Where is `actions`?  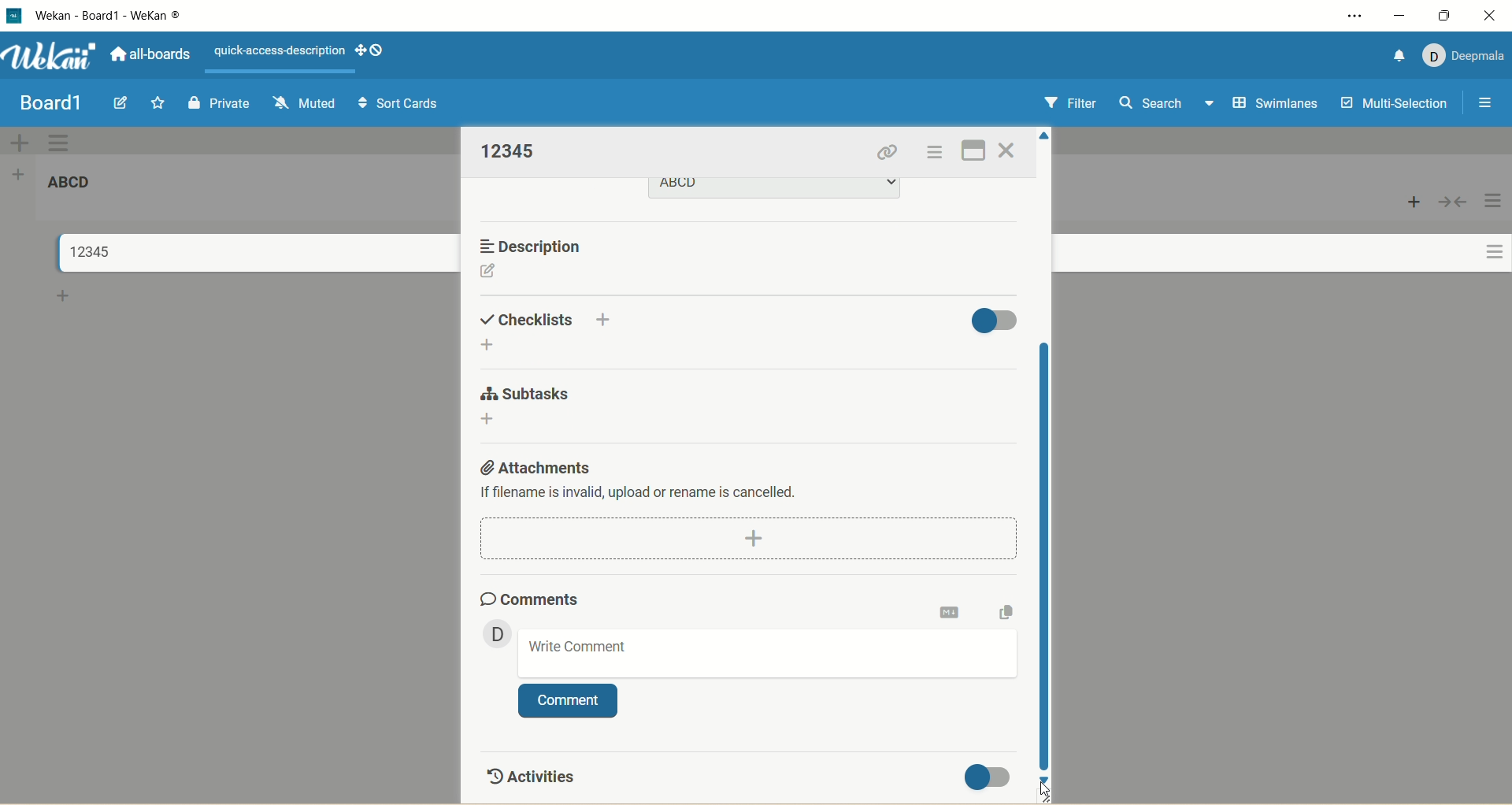 actions is located at coordinates (1488, 239).